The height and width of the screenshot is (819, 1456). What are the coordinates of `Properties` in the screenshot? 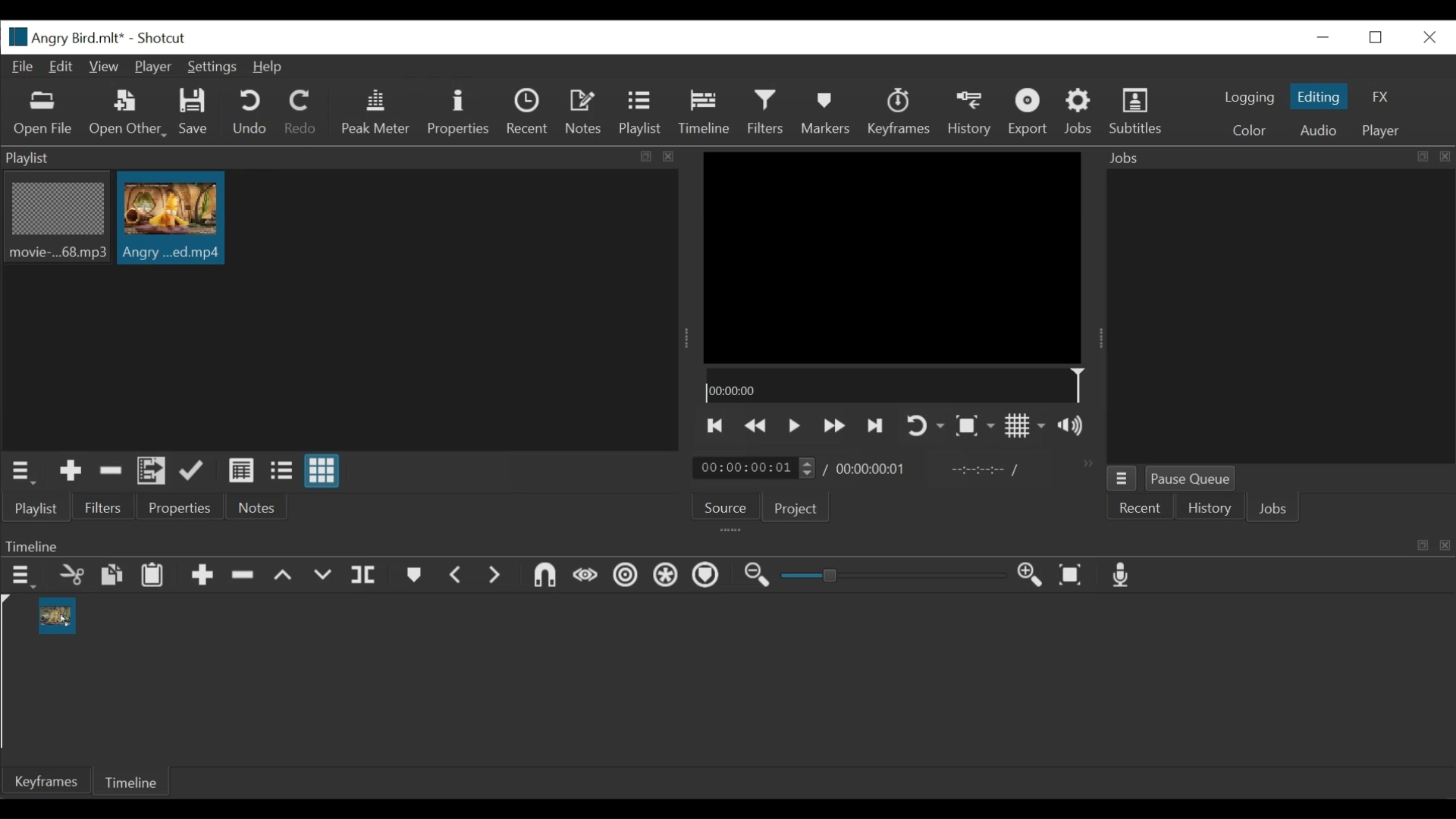 It's located at (178, 507).